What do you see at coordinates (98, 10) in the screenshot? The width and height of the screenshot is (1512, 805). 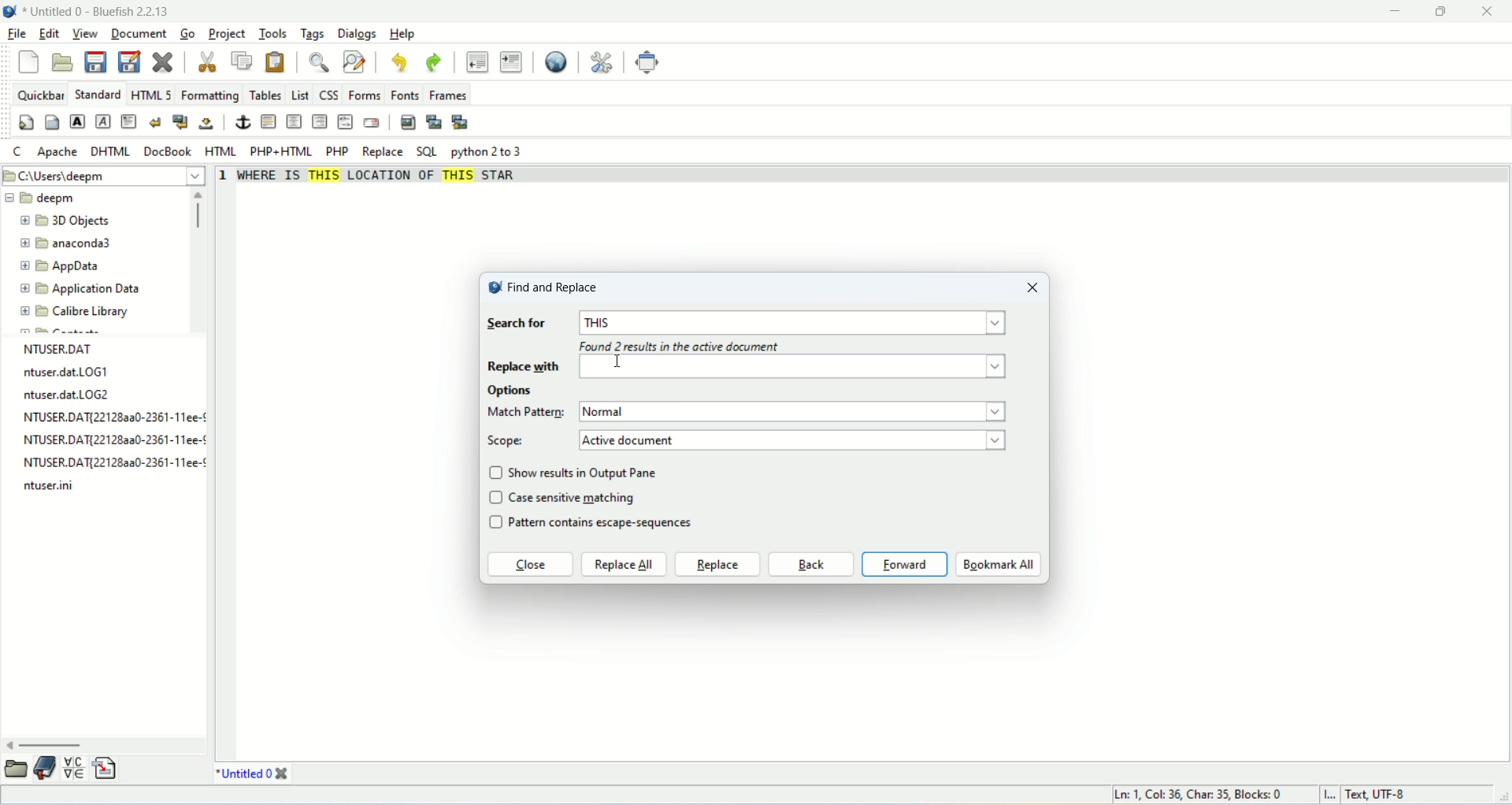 I see `Untiled 0 -Bluefish 2.2.13` at bounding box center [98, 10].